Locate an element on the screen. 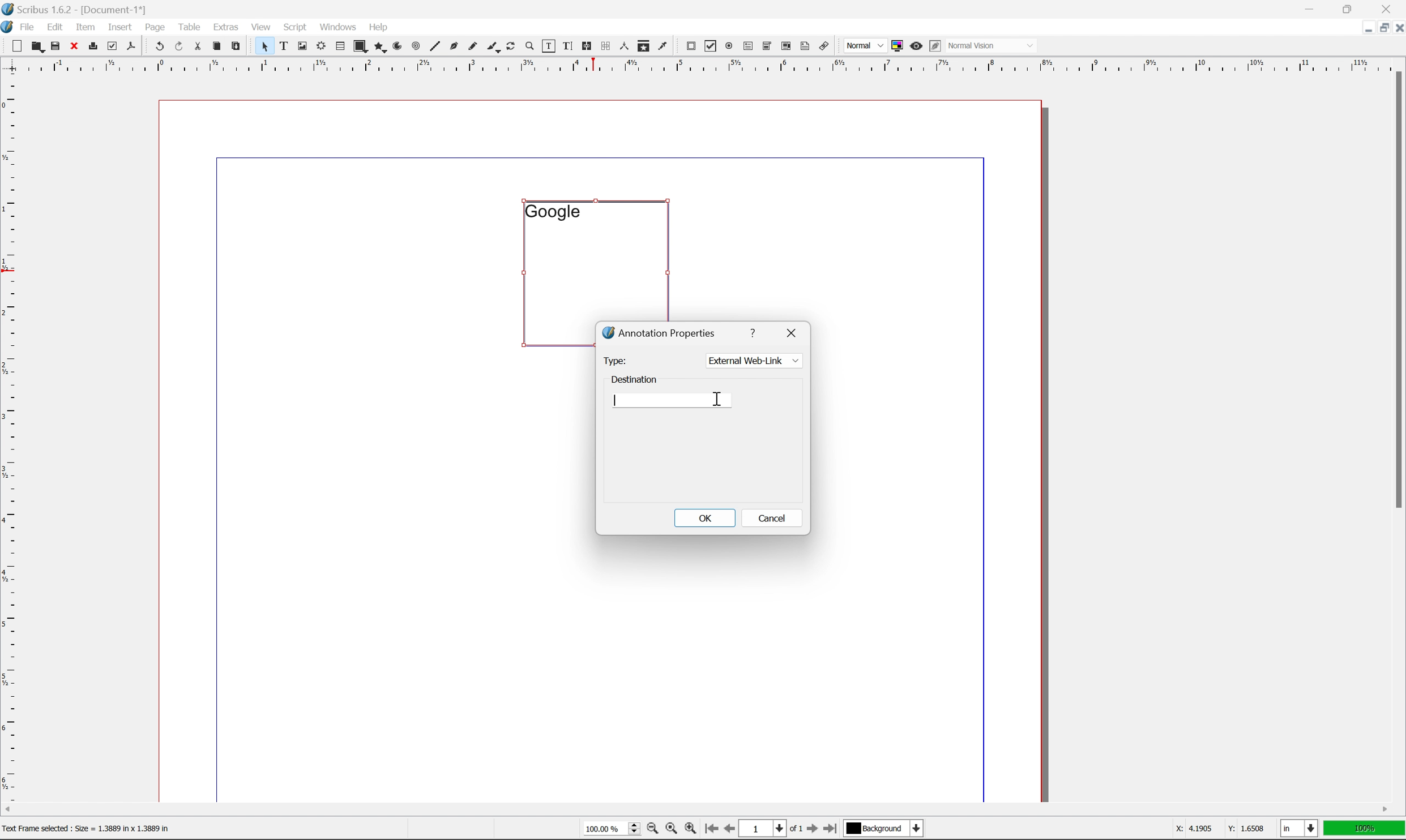  close is located at coordinates (75, 45).